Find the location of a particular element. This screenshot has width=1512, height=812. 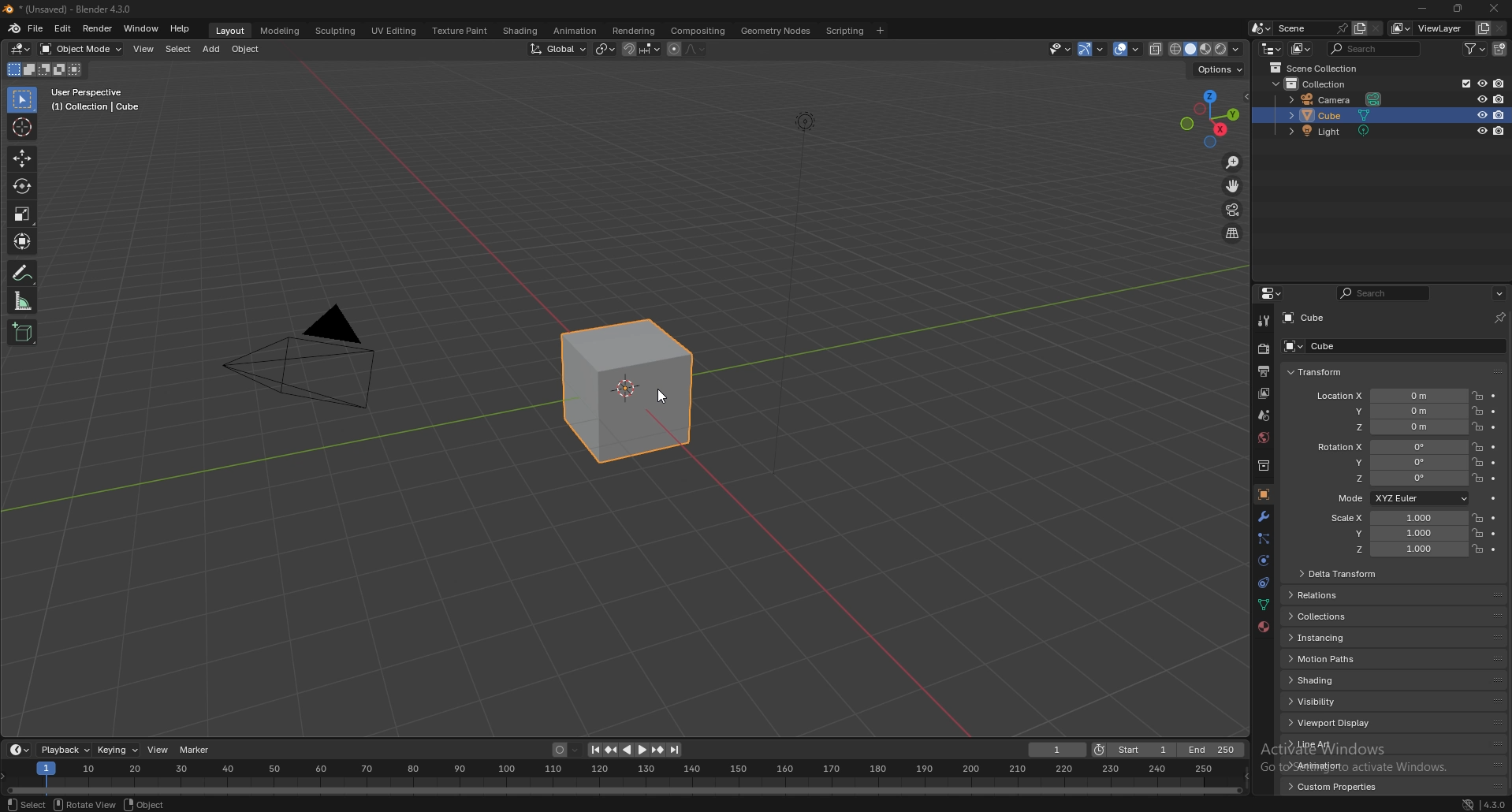

selectibility and visibility is located at coordinates (1061, 50).